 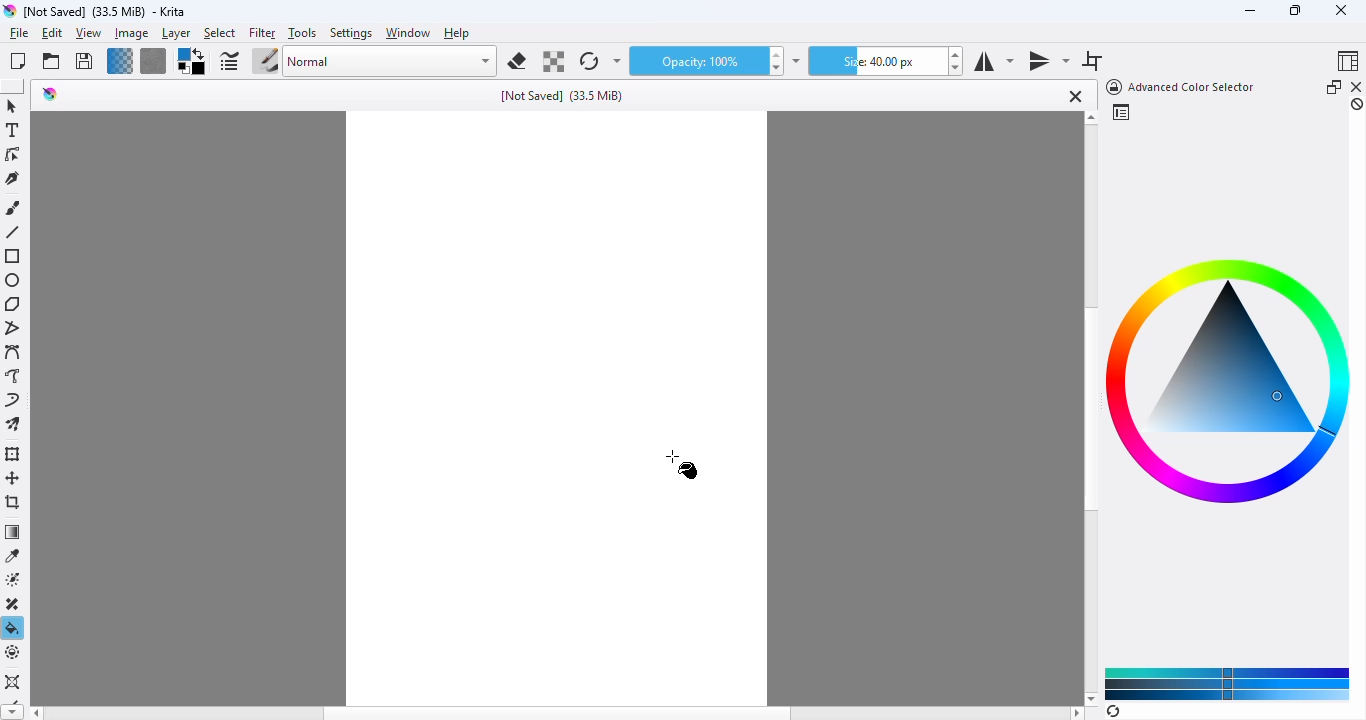 I want to click on scroll up, so click(x=1091, y=118).